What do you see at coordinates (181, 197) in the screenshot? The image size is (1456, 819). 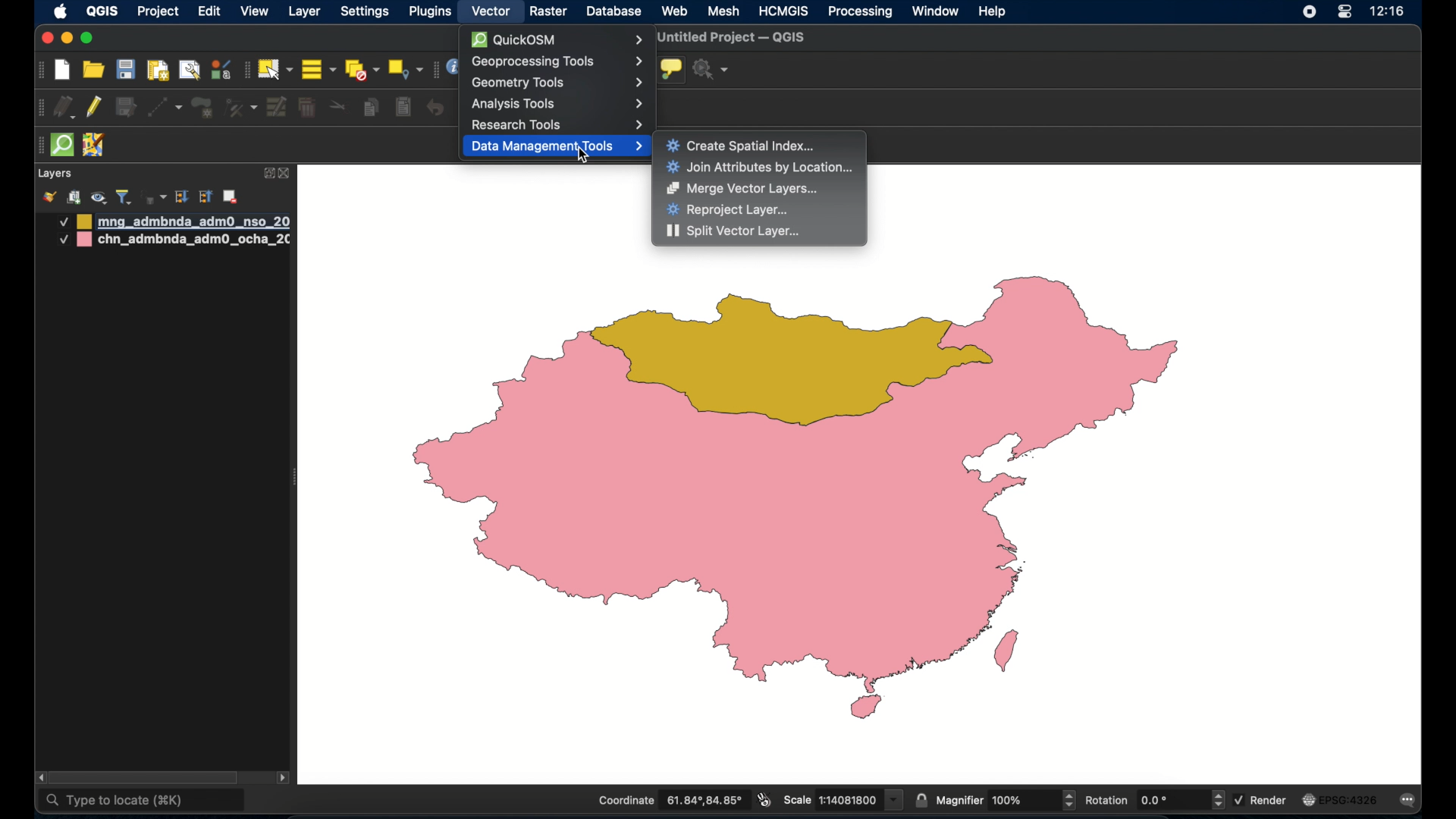 I see `expand all` at bounding box center [181, 197].